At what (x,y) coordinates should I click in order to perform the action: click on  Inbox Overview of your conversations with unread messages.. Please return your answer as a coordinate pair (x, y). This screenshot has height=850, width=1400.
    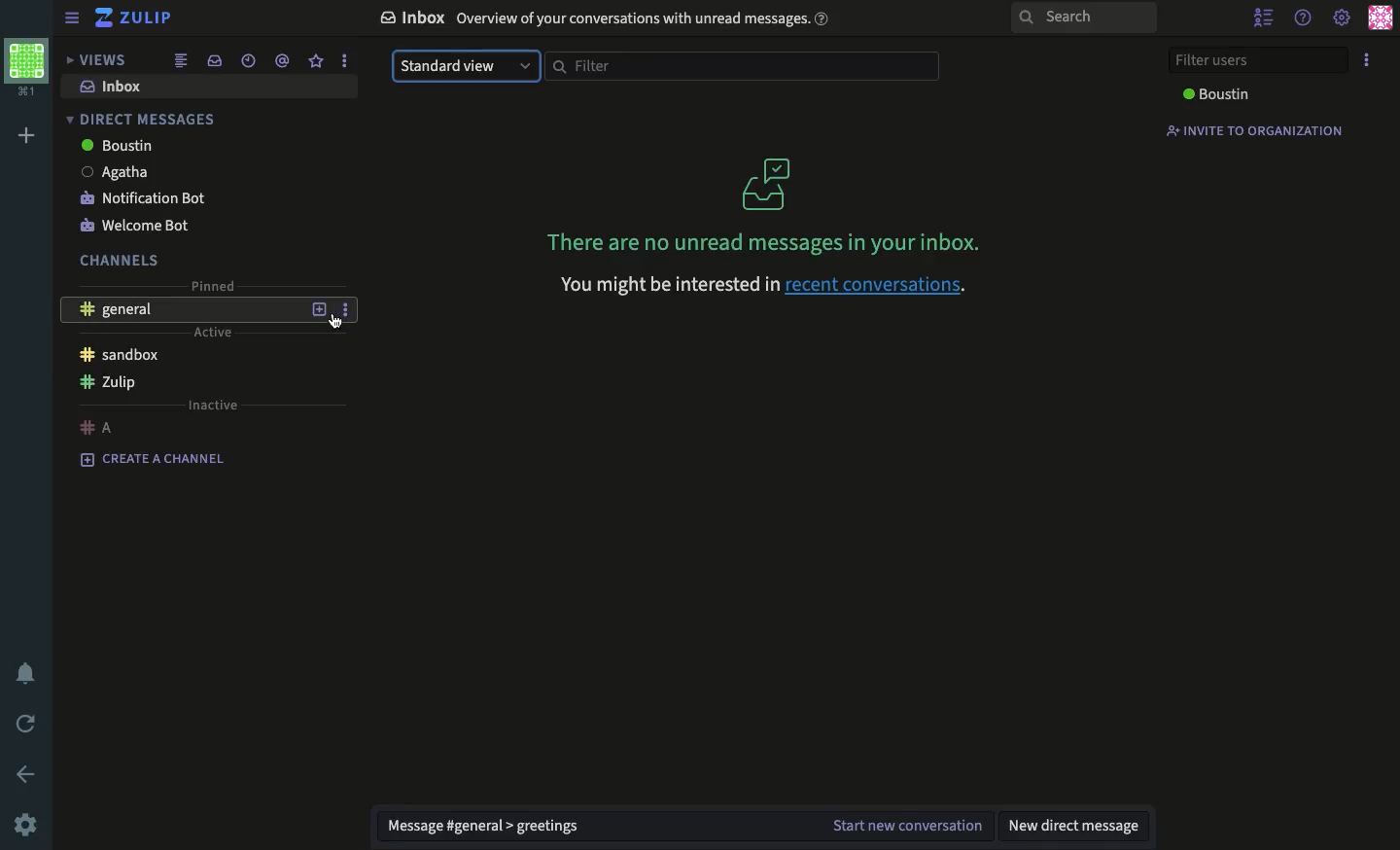
    Looking at the image, I should click on (601, 17).